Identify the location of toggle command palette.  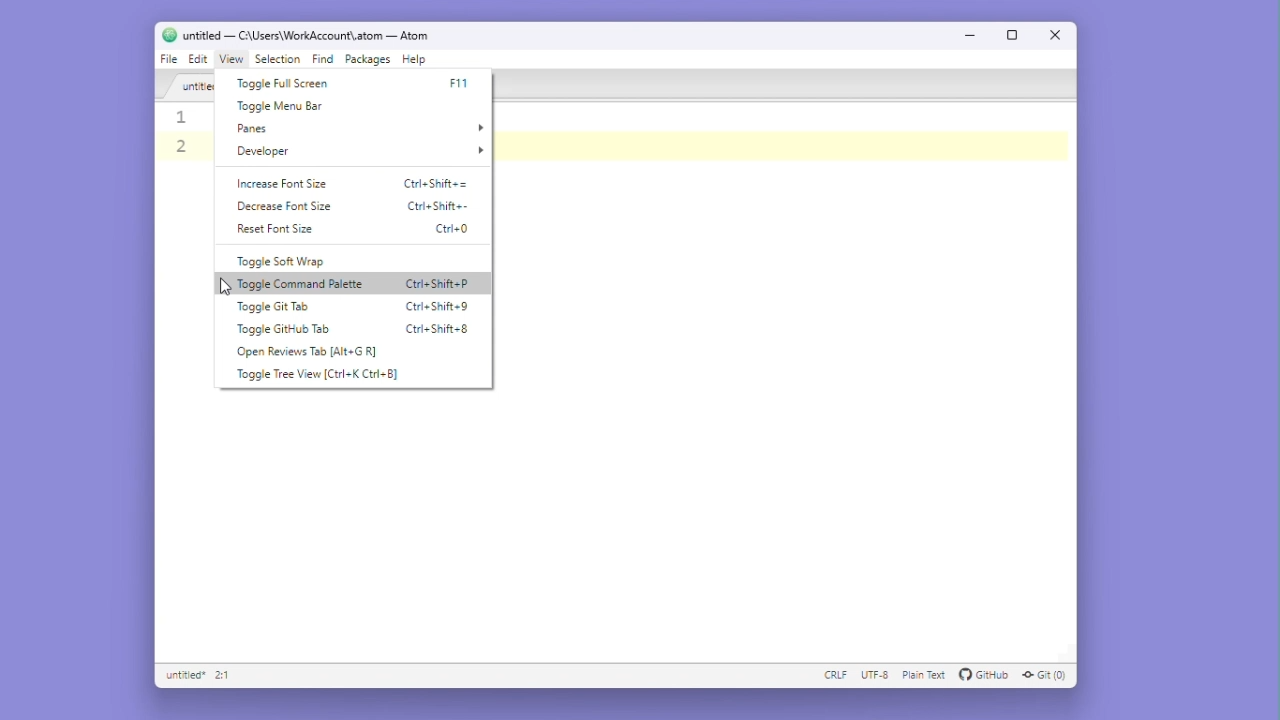
(303, 282).